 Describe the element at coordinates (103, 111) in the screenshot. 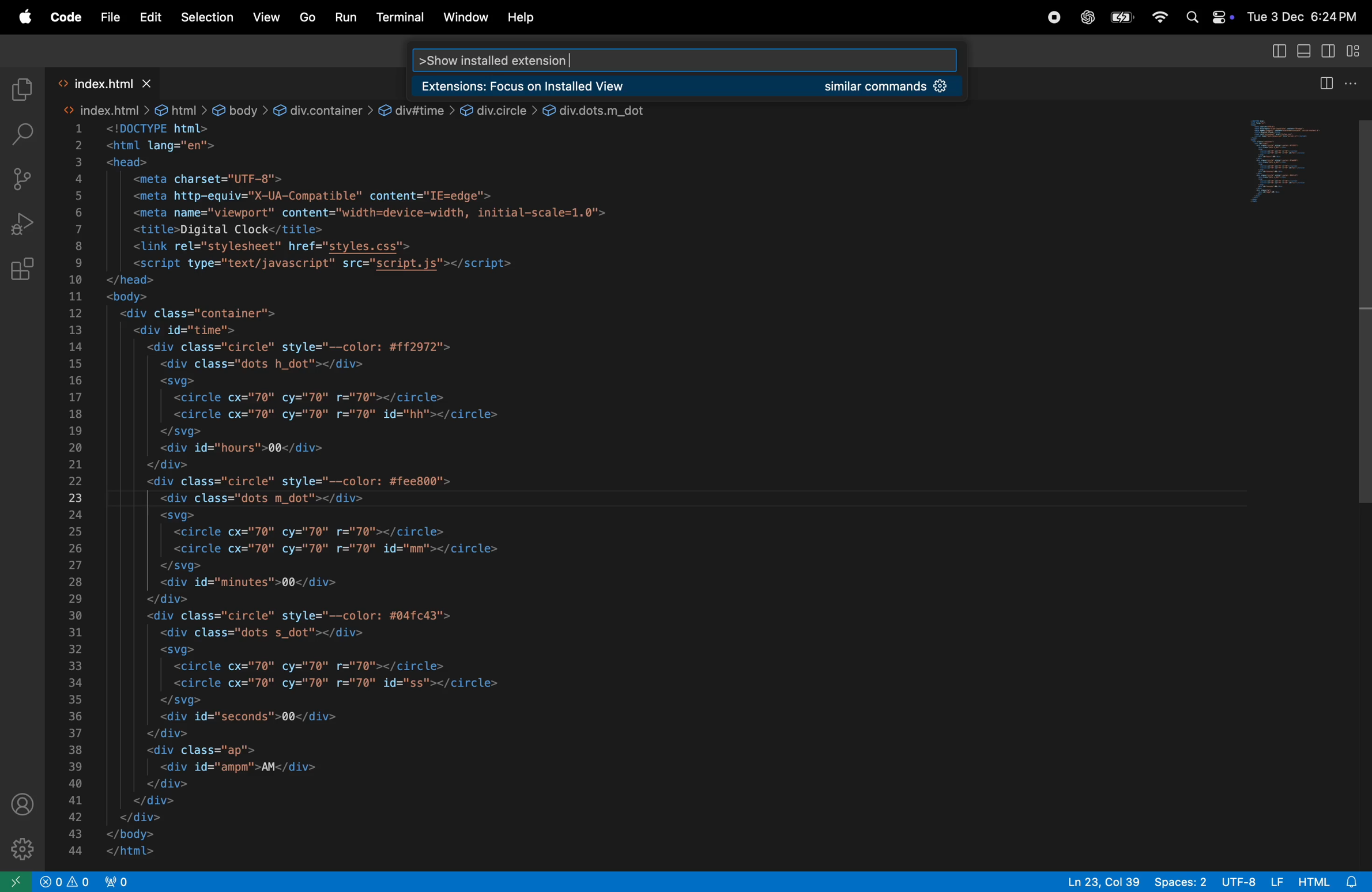

I see `index.htm` at that location.